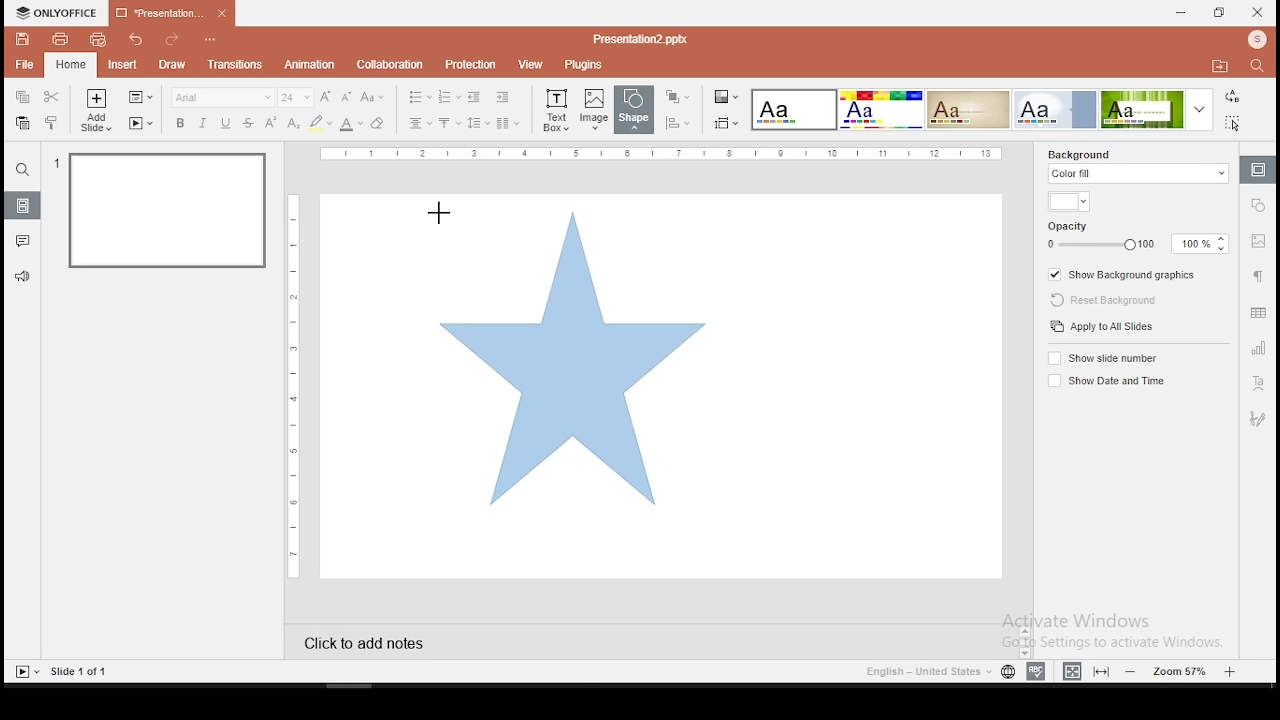 The width and height of the screenshot is (1280, 720). Describe the element at coordinates (1135, 236) in the screenshot. I see `opacity` at that location.